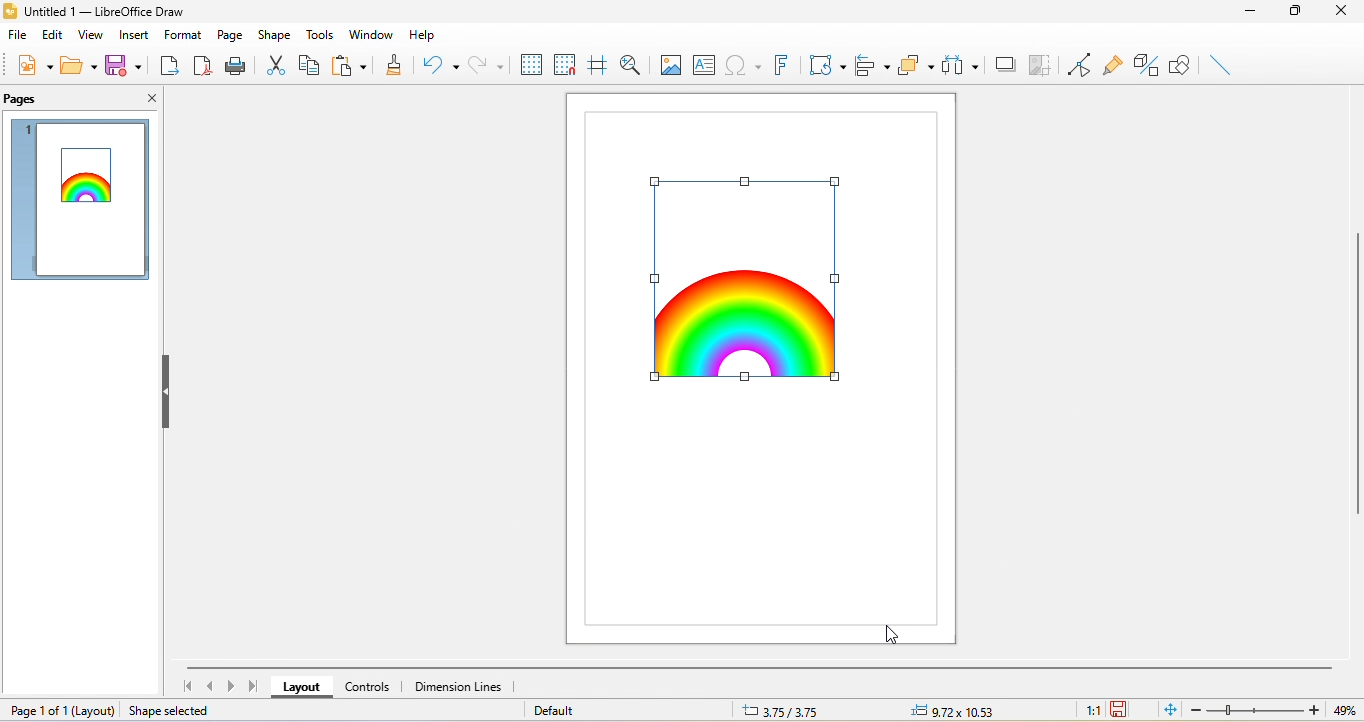 Image resolution: width=1364 pixels, height=722 pixels. I want to click on Added a rainbow color gradient, so click(92, 182).